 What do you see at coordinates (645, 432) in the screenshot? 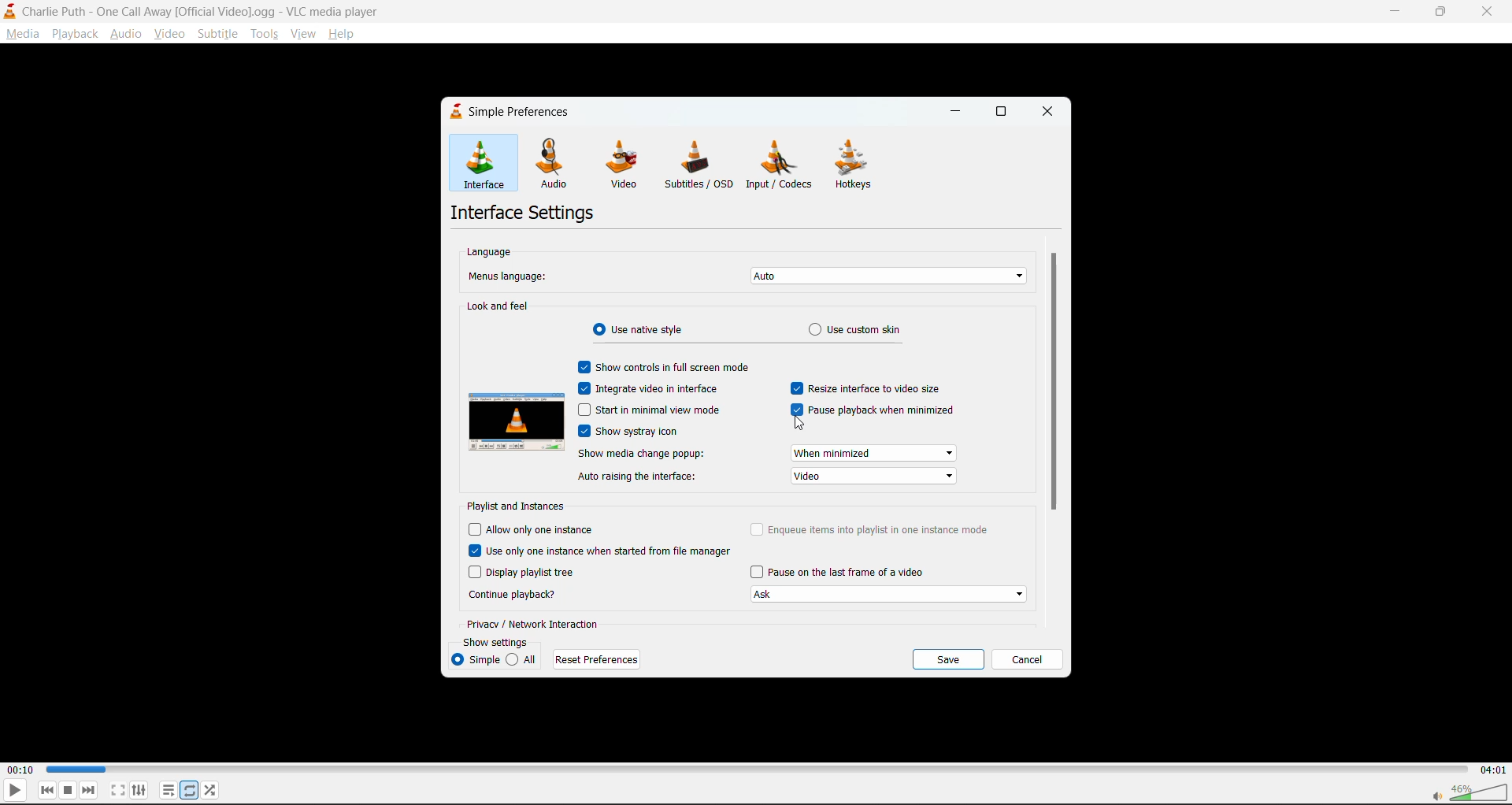
I see `show systray icon` at bounding box center [645, 432].